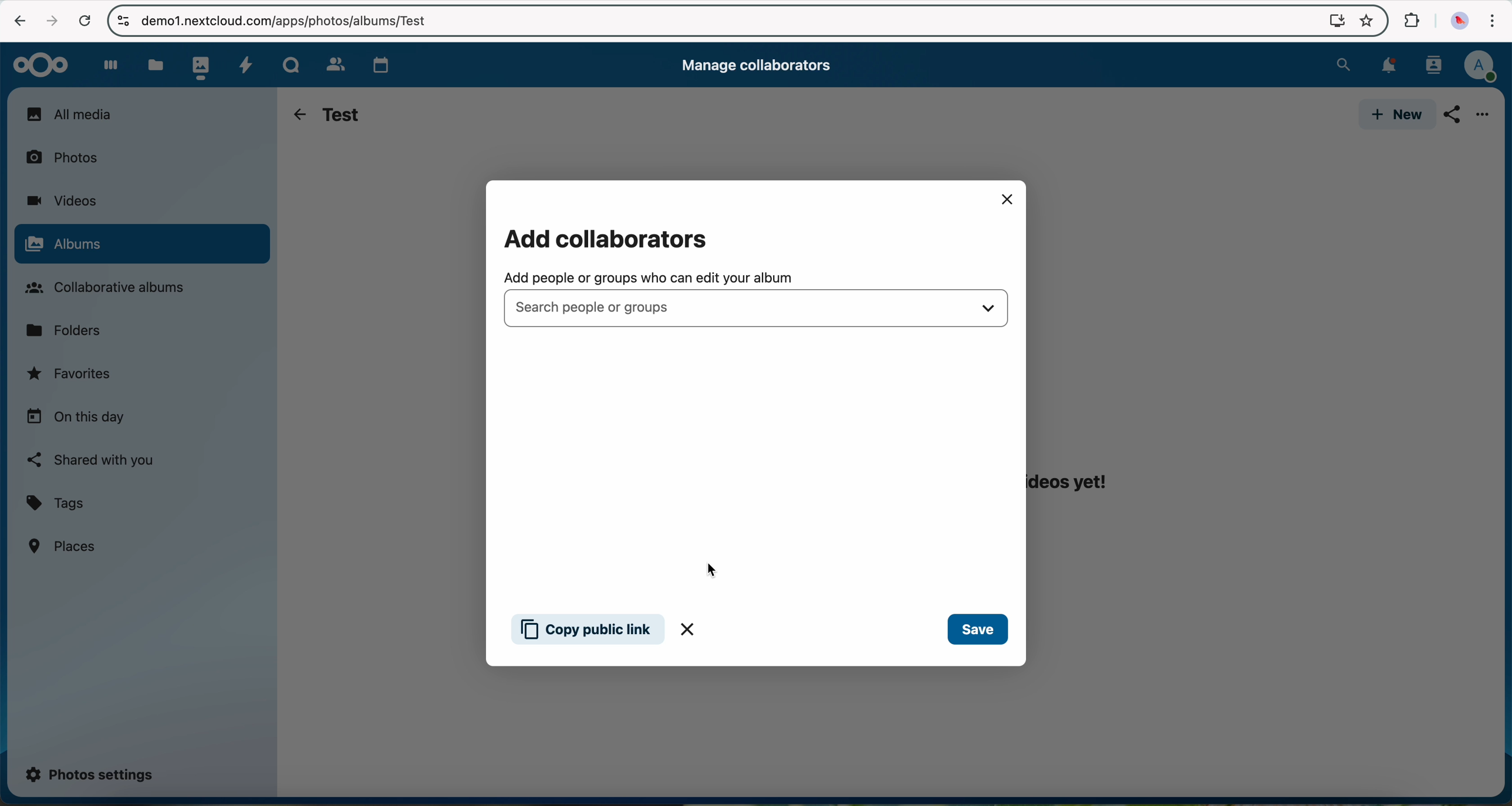  I want to click on test, so click(342, 113).